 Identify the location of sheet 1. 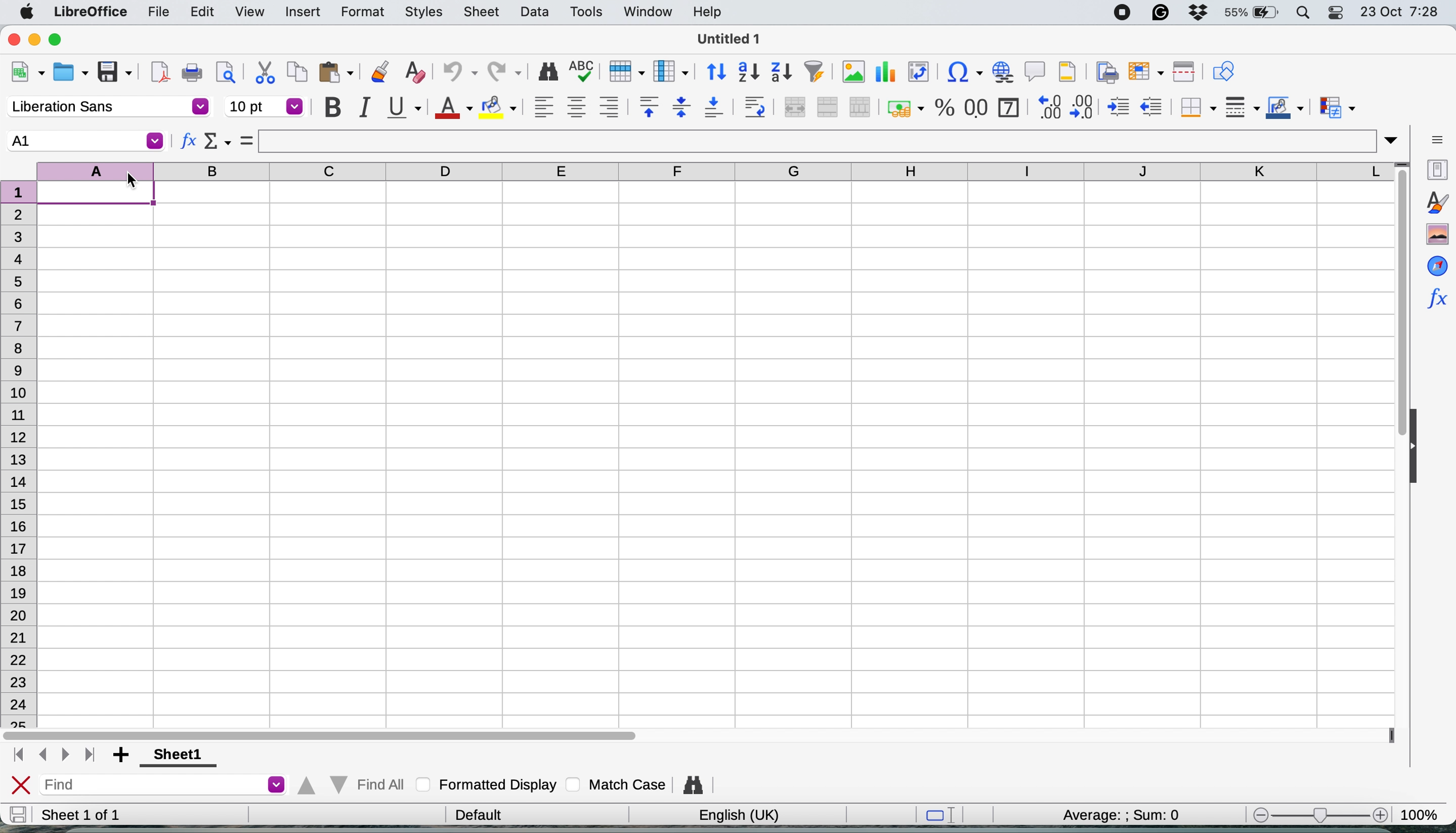
(180, 755).